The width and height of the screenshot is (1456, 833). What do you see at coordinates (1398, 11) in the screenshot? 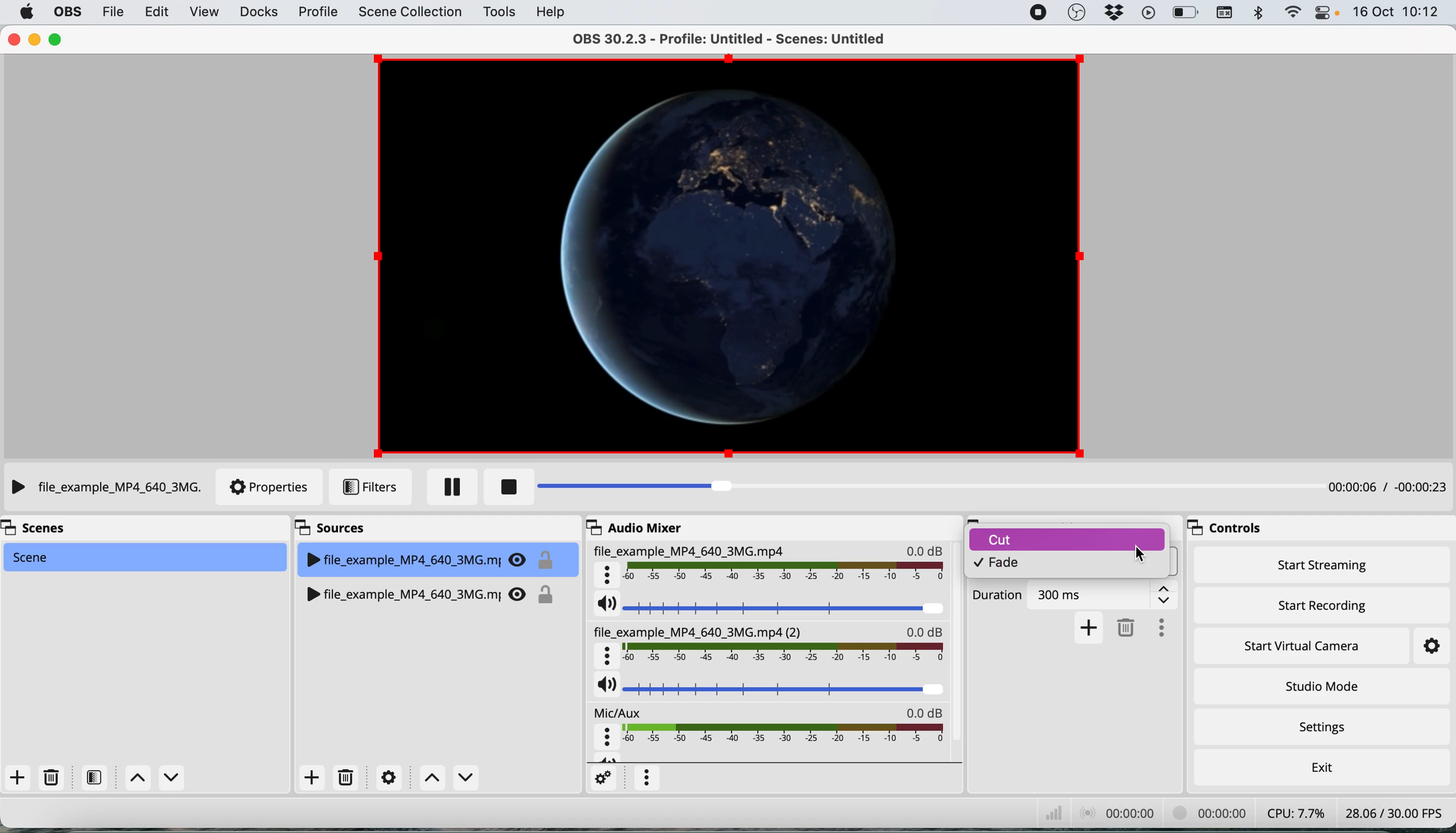
I see `16Oct 10:12` at bounding box center [1398, 11].